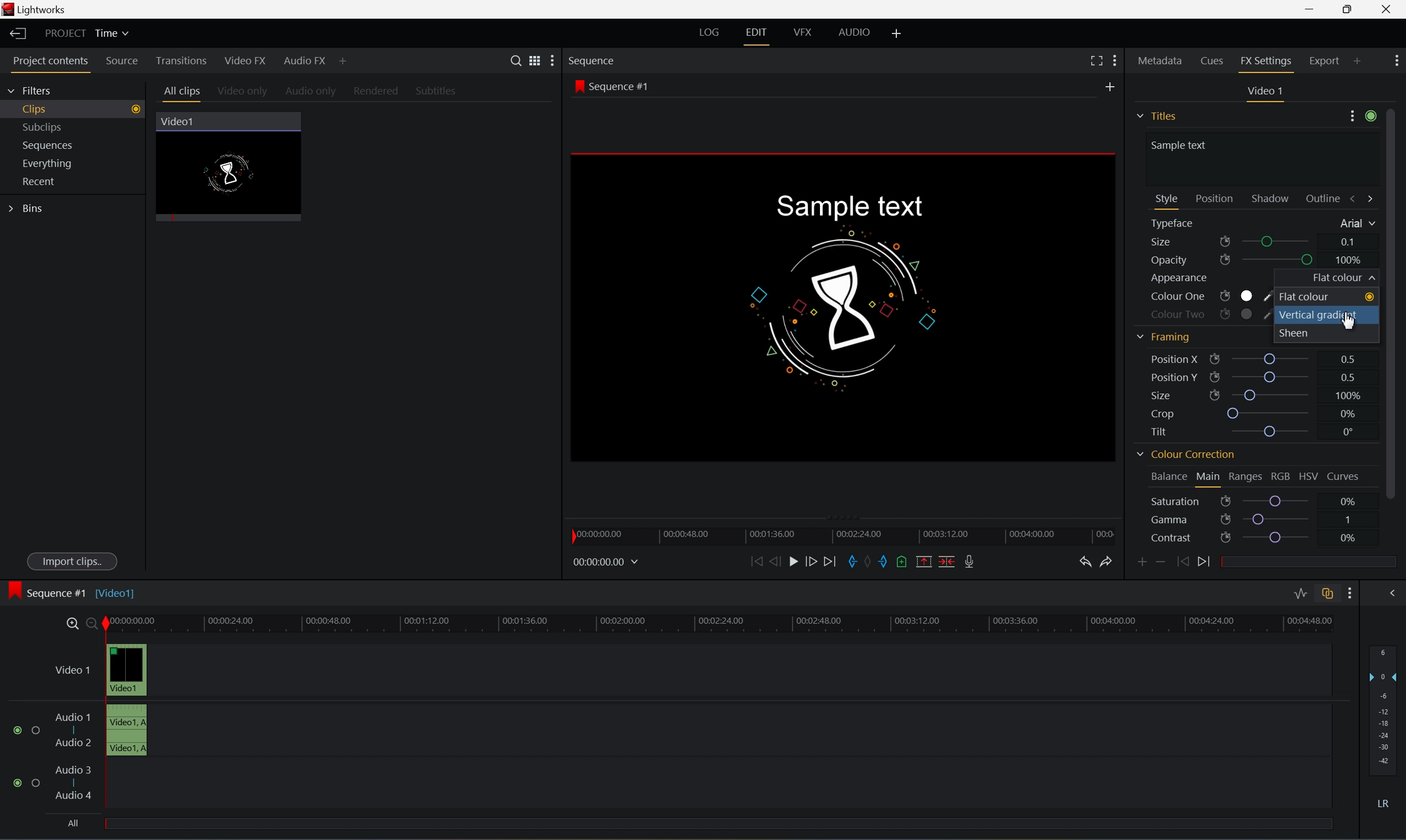 The height and width of the screenshot is (840, 1406). What do you see at coordinates (1282, 538) in the screenshot?
I see `slider` at bounding box center [1282, 538].